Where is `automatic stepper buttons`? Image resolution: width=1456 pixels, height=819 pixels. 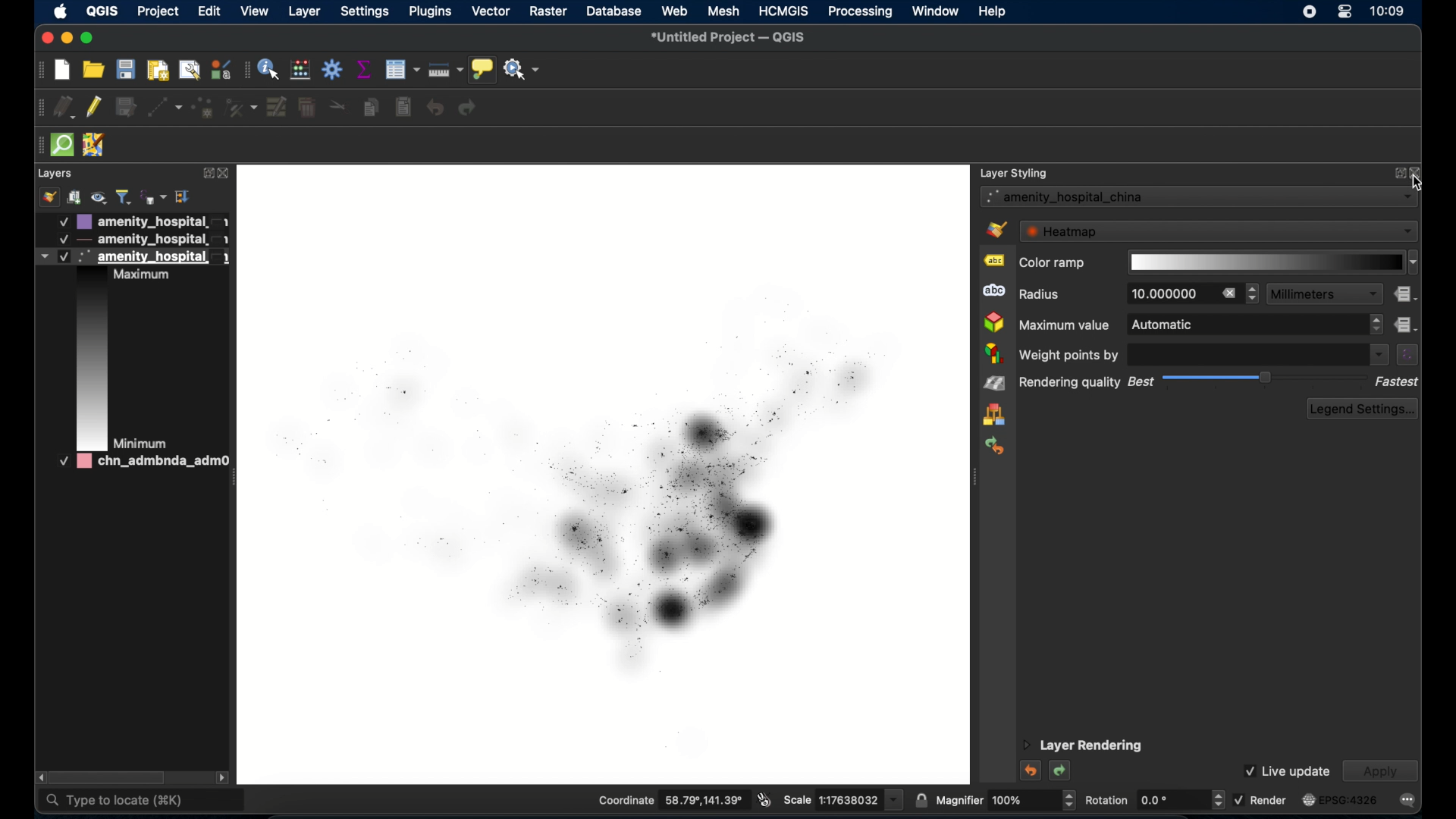 automatic stepper buttons is located at coordinates (1255, 325).